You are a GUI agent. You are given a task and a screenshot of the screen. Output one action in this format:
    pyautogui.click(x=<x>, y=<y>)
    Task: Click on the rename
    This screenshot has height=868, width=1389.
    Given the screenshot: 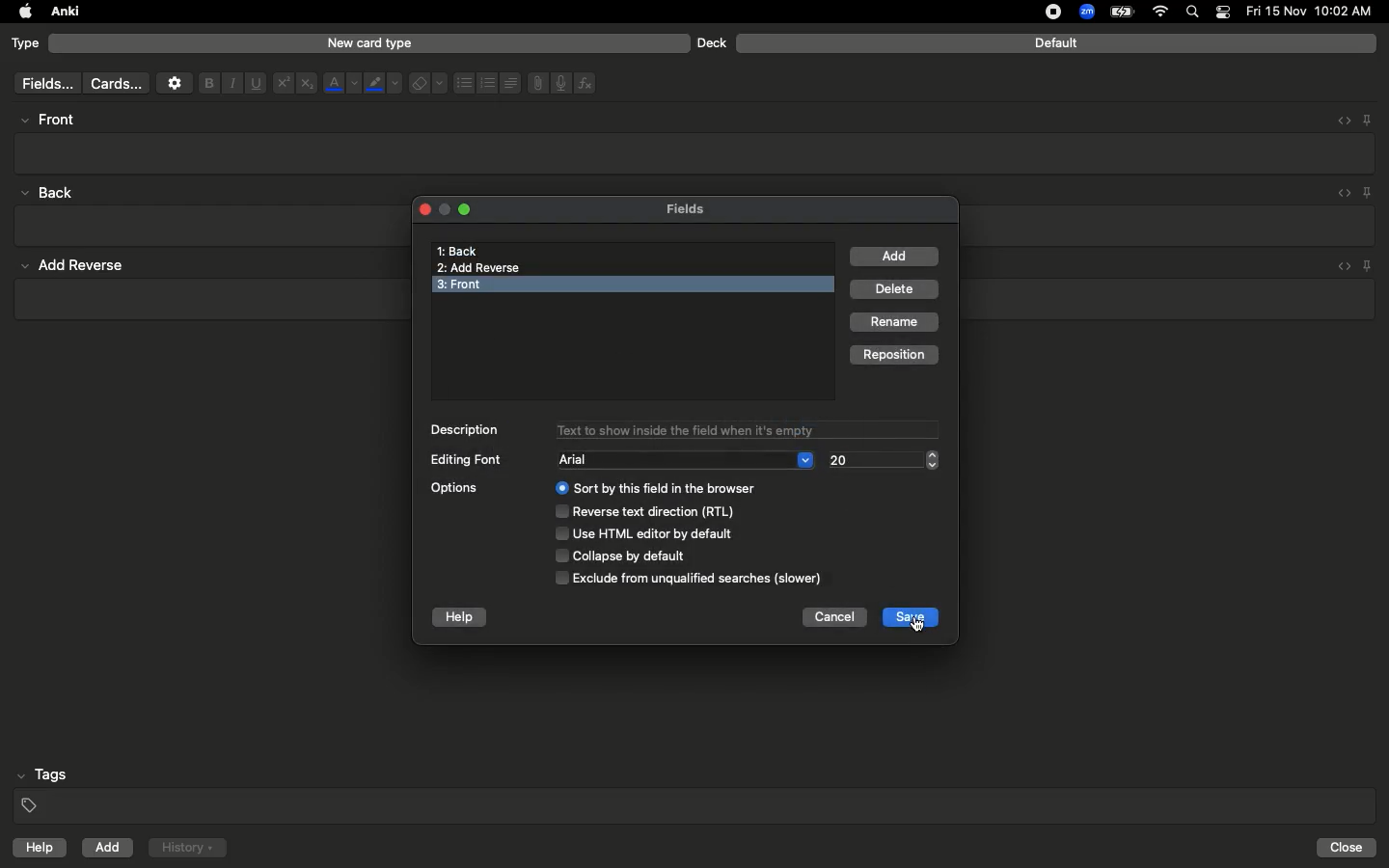 What is the action you would take?
    pyautogui.click(x=896, y=323)
    